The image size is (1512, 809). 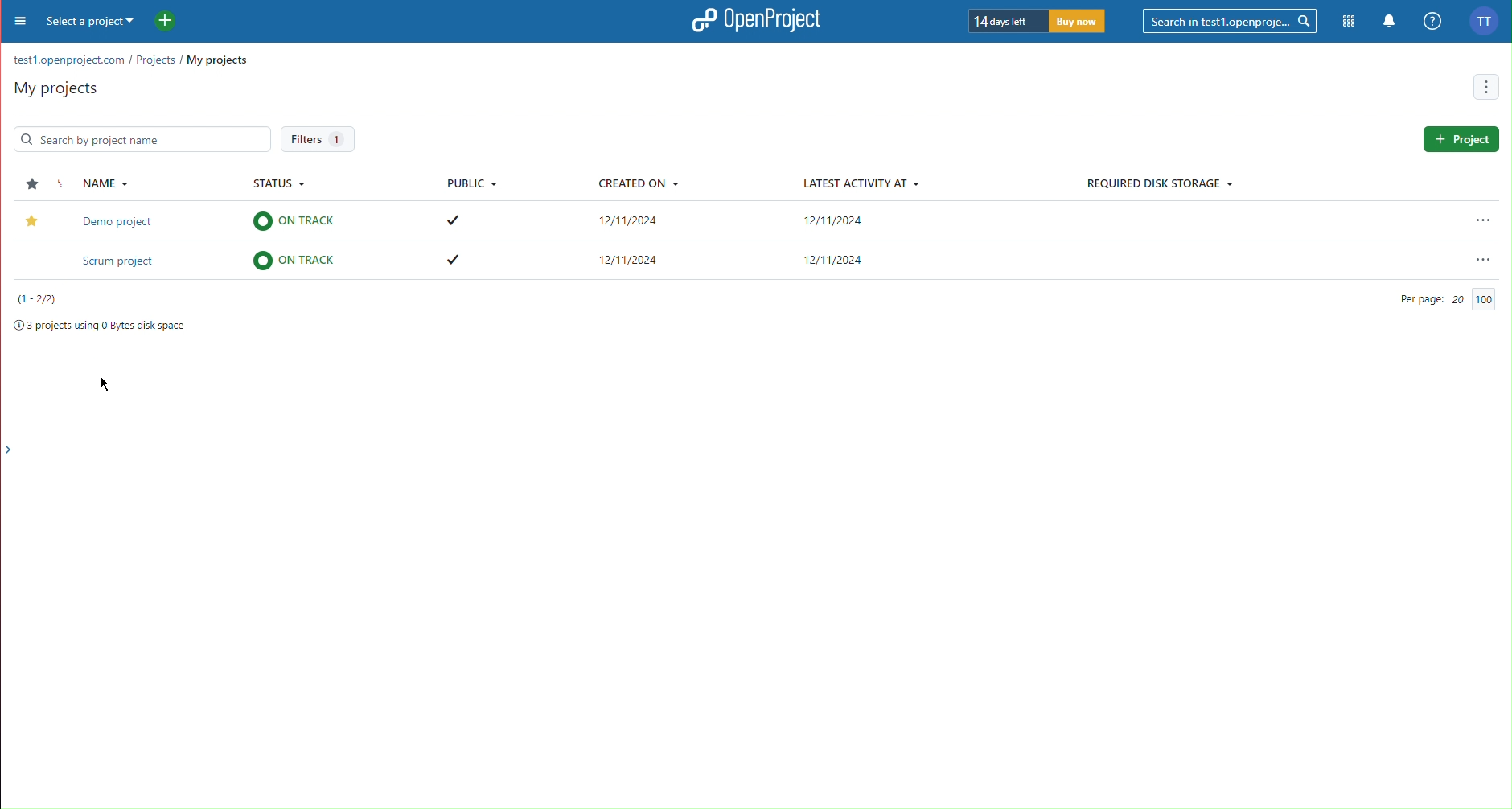 What do you see at coordinates (31, 179) in the screenshot?
I see `Favorites` at bounding box center [31, 179].